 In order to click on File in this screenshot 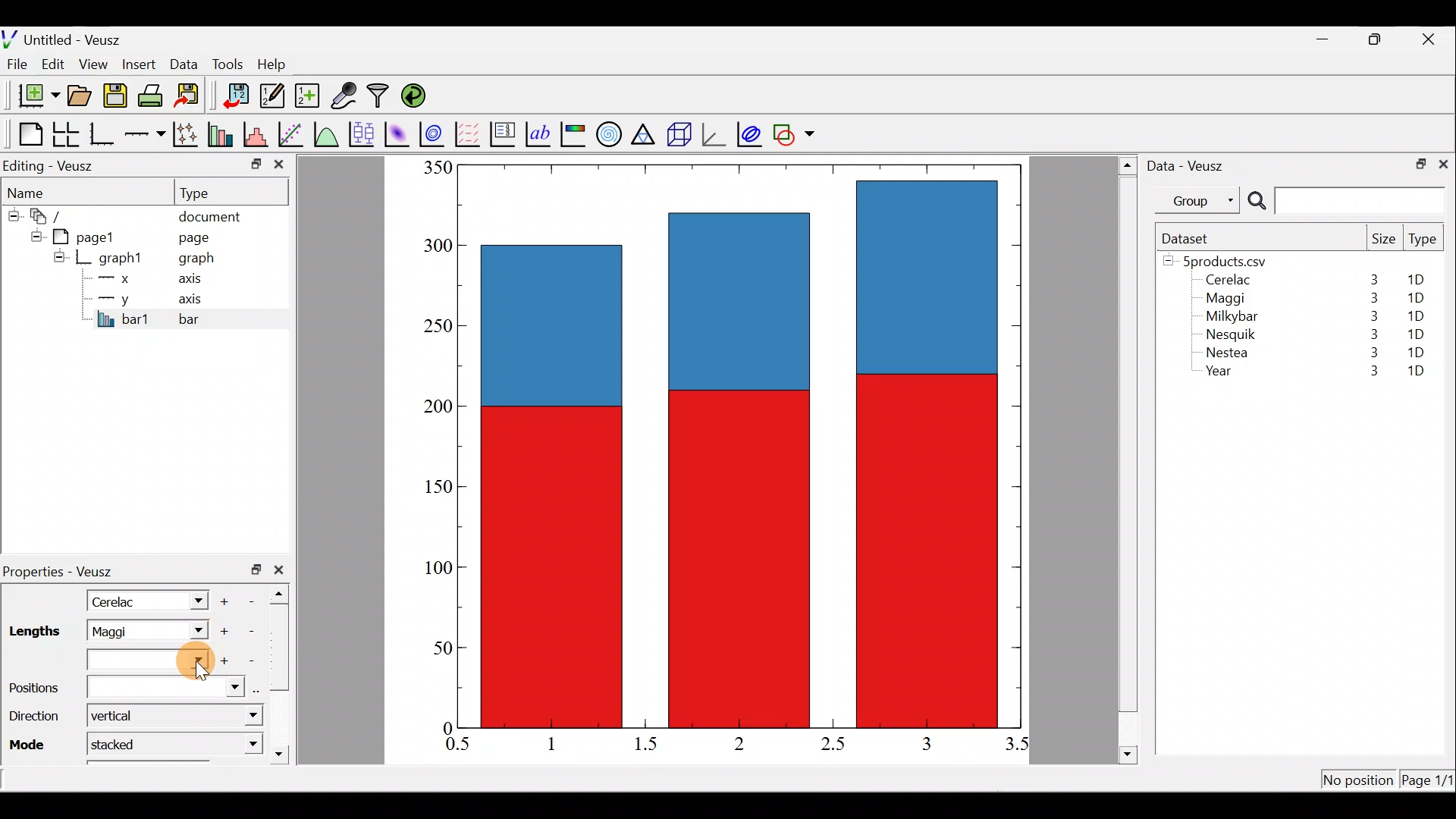, I will do `click(14, 64)`.